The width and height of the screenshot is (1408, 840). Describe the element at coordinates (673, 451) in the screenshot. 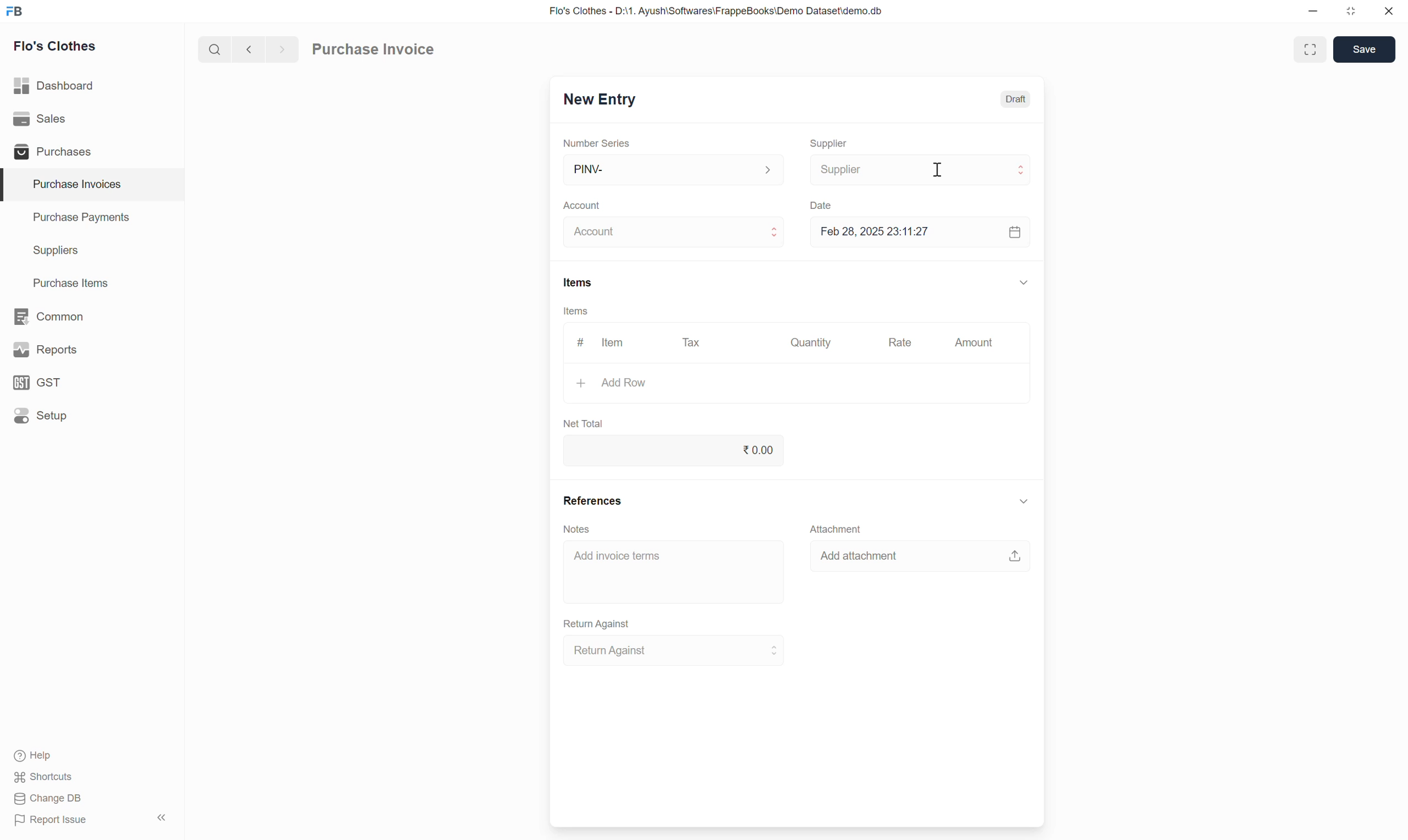

I see `0.00` at that location.